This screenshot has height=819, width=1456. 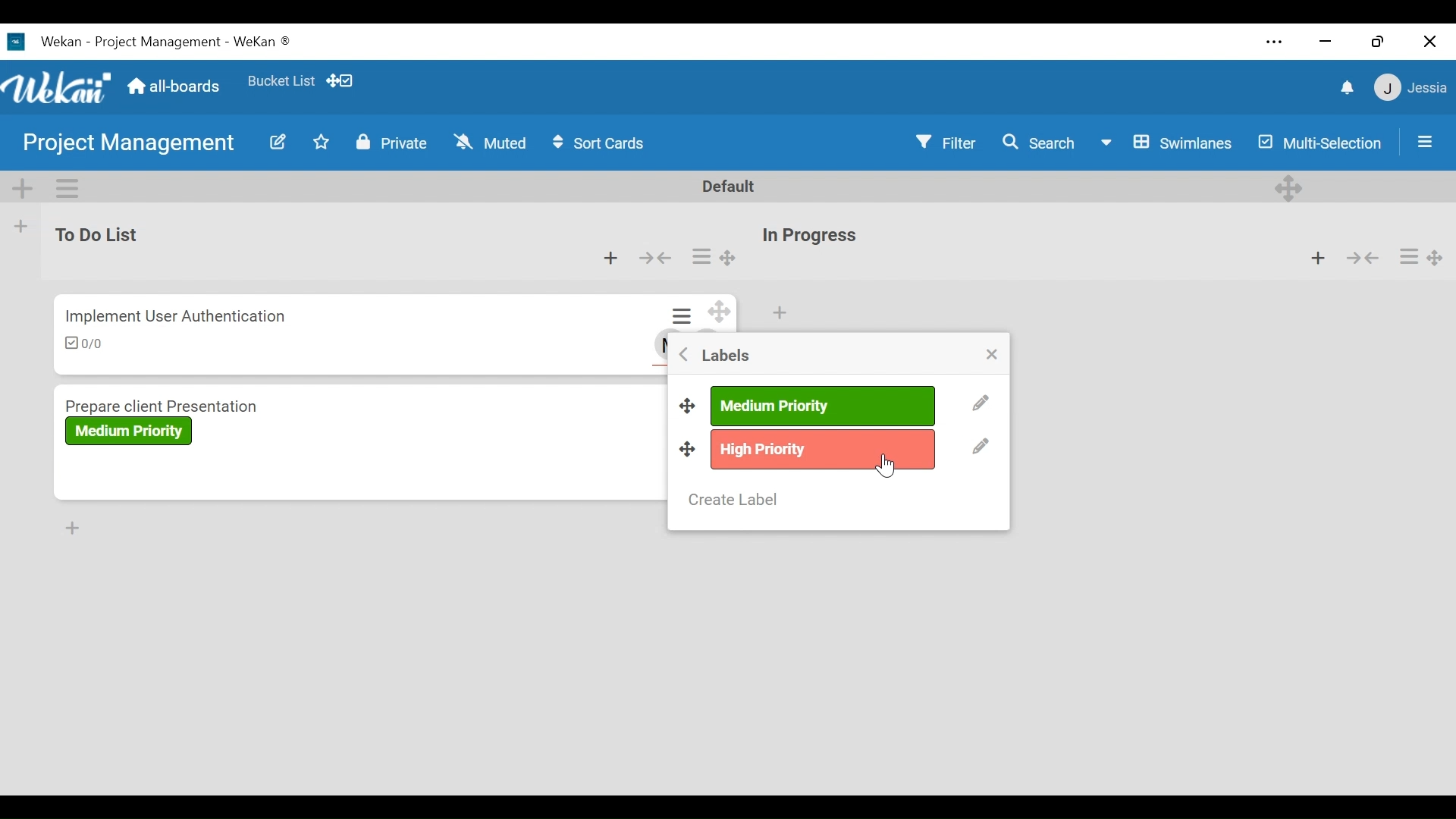 I want to click on Card actions, so click(x=1407, y=257).